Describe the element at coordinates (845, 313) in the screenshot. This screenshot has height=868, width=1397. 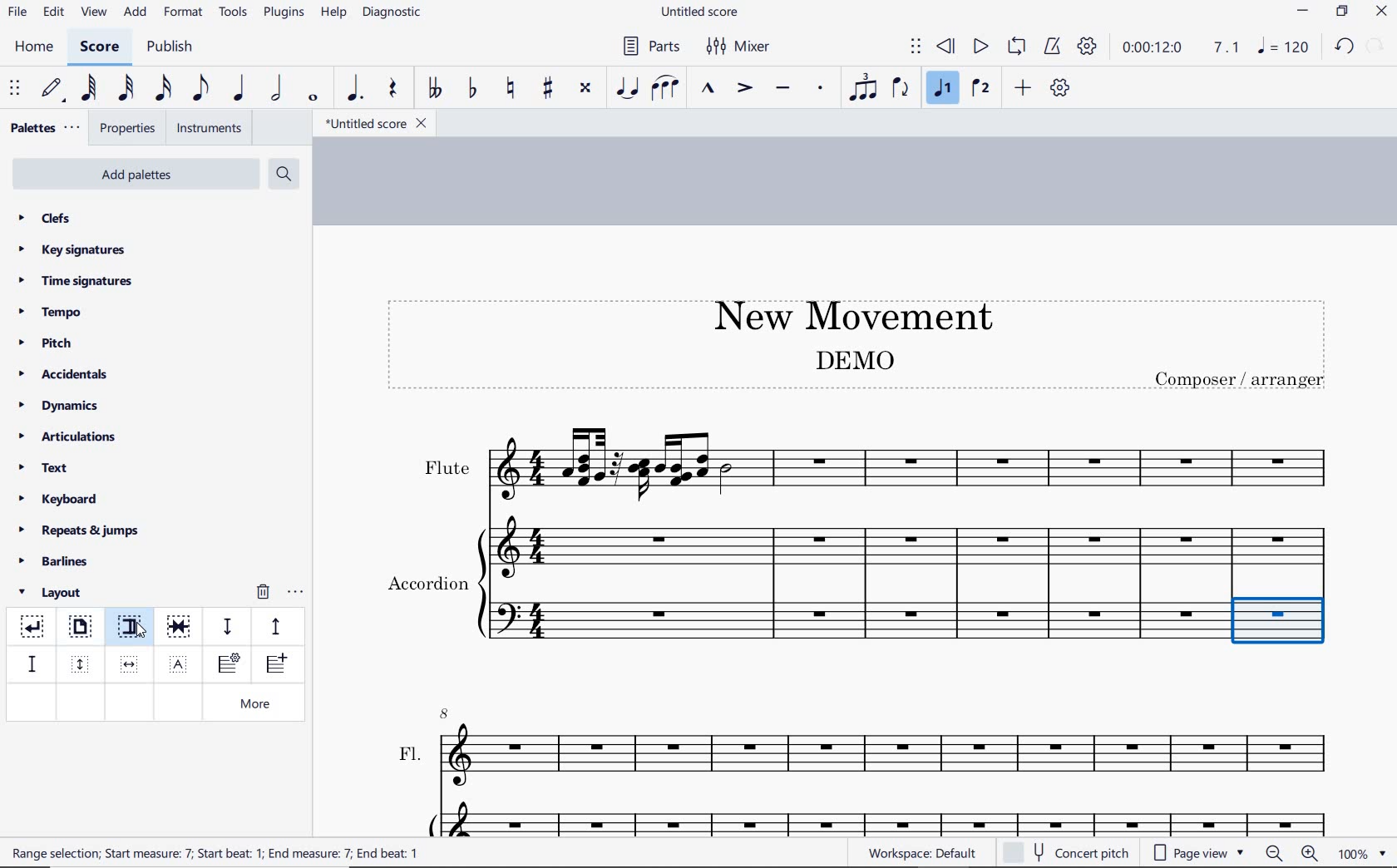
I see `title` at that location.